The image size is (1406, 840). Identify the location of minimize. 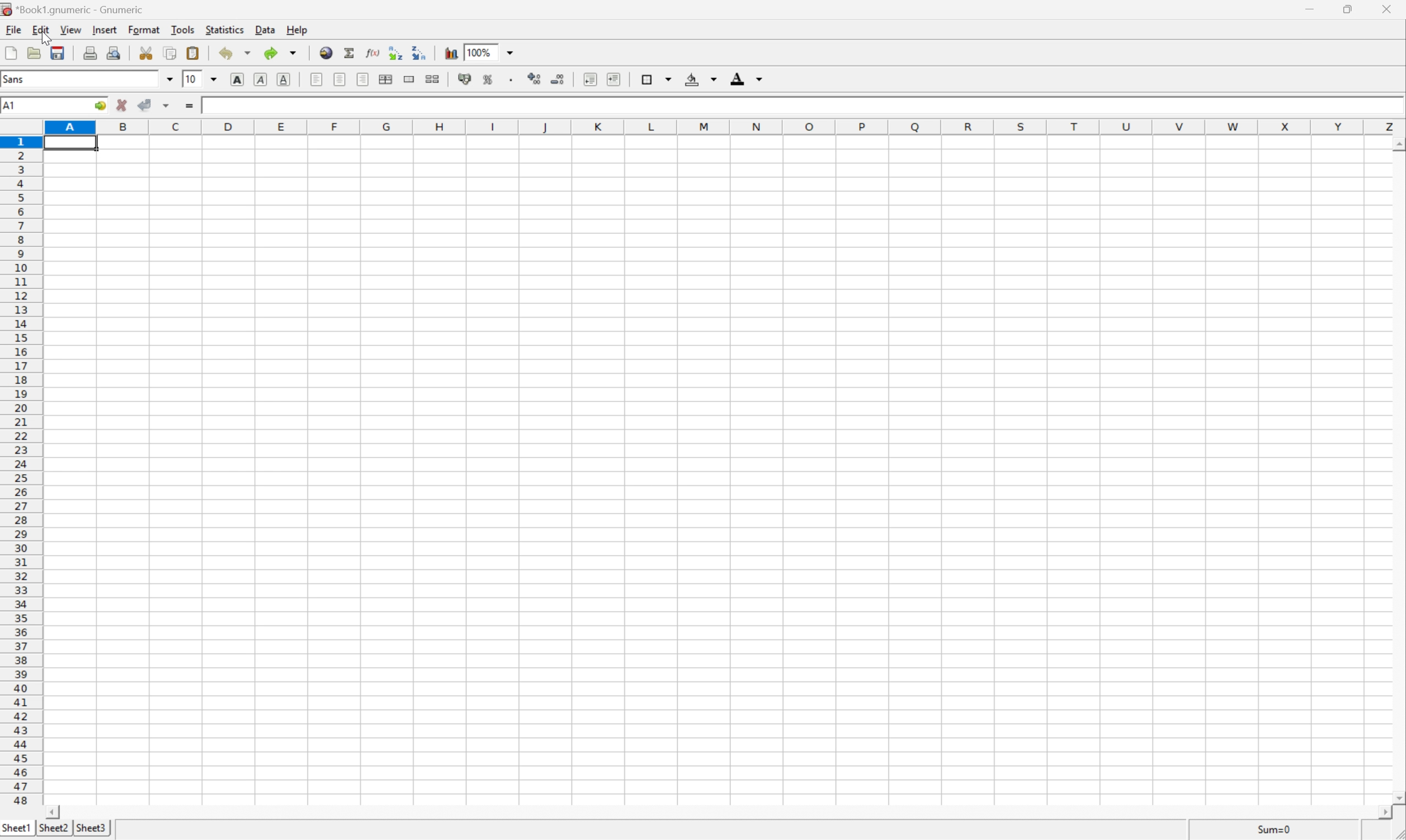
(1311, 10).